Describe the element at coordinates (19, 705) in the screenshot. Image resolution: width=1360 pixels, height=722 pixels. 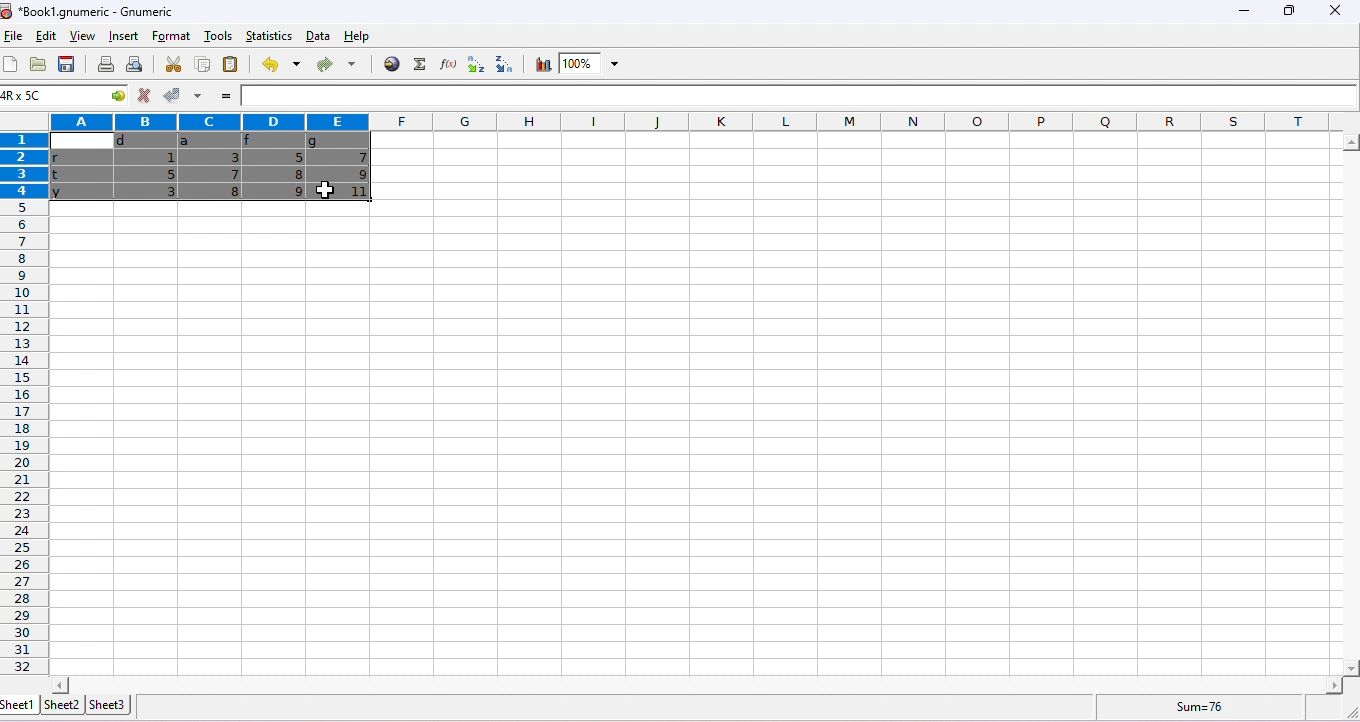
I see `sheet1` at that location.